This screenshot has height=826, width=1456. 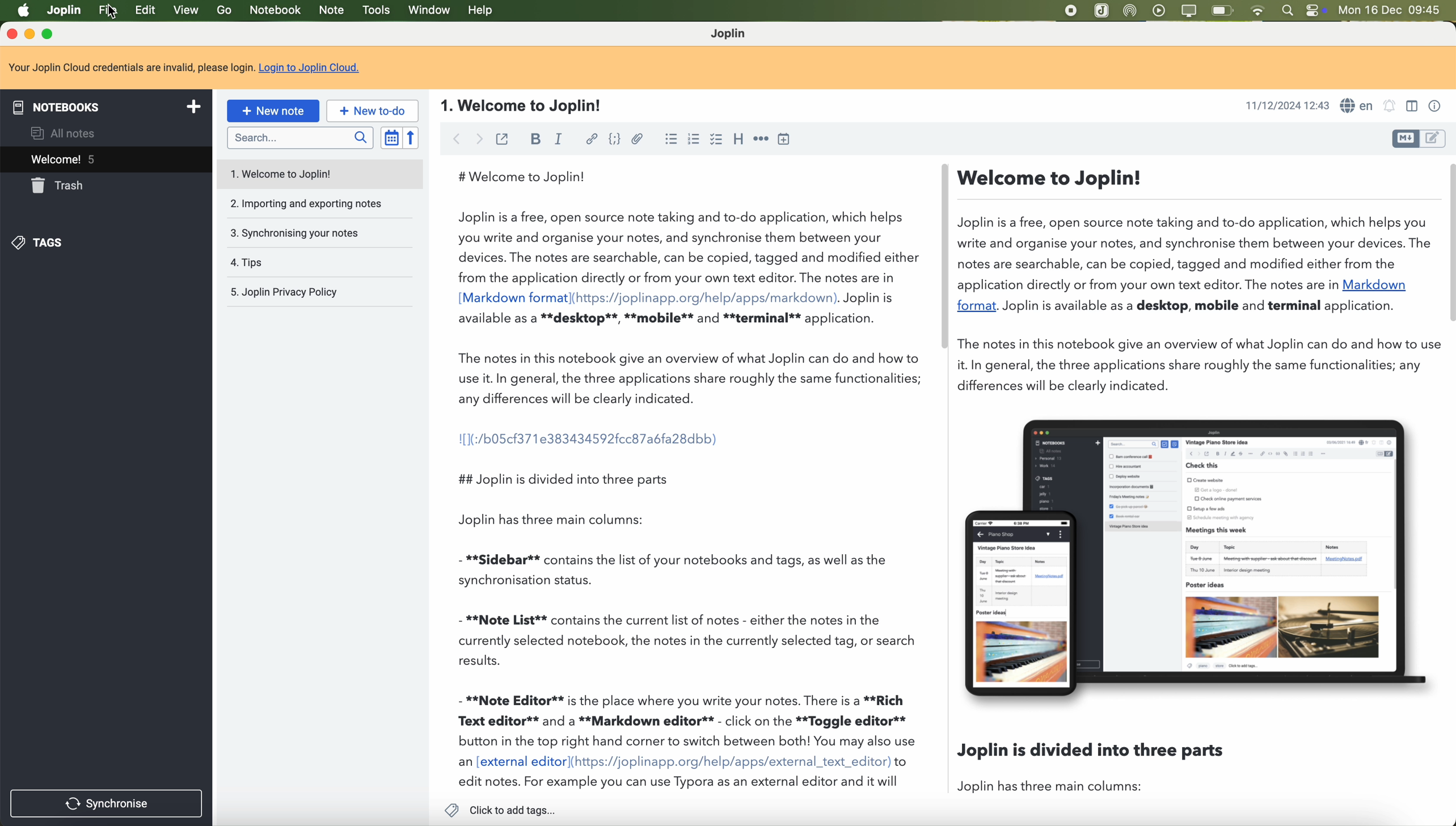 What do you see at coordinates (275, 11) in the screenshot?
I see `notebook` at bounding box center [275, 11].